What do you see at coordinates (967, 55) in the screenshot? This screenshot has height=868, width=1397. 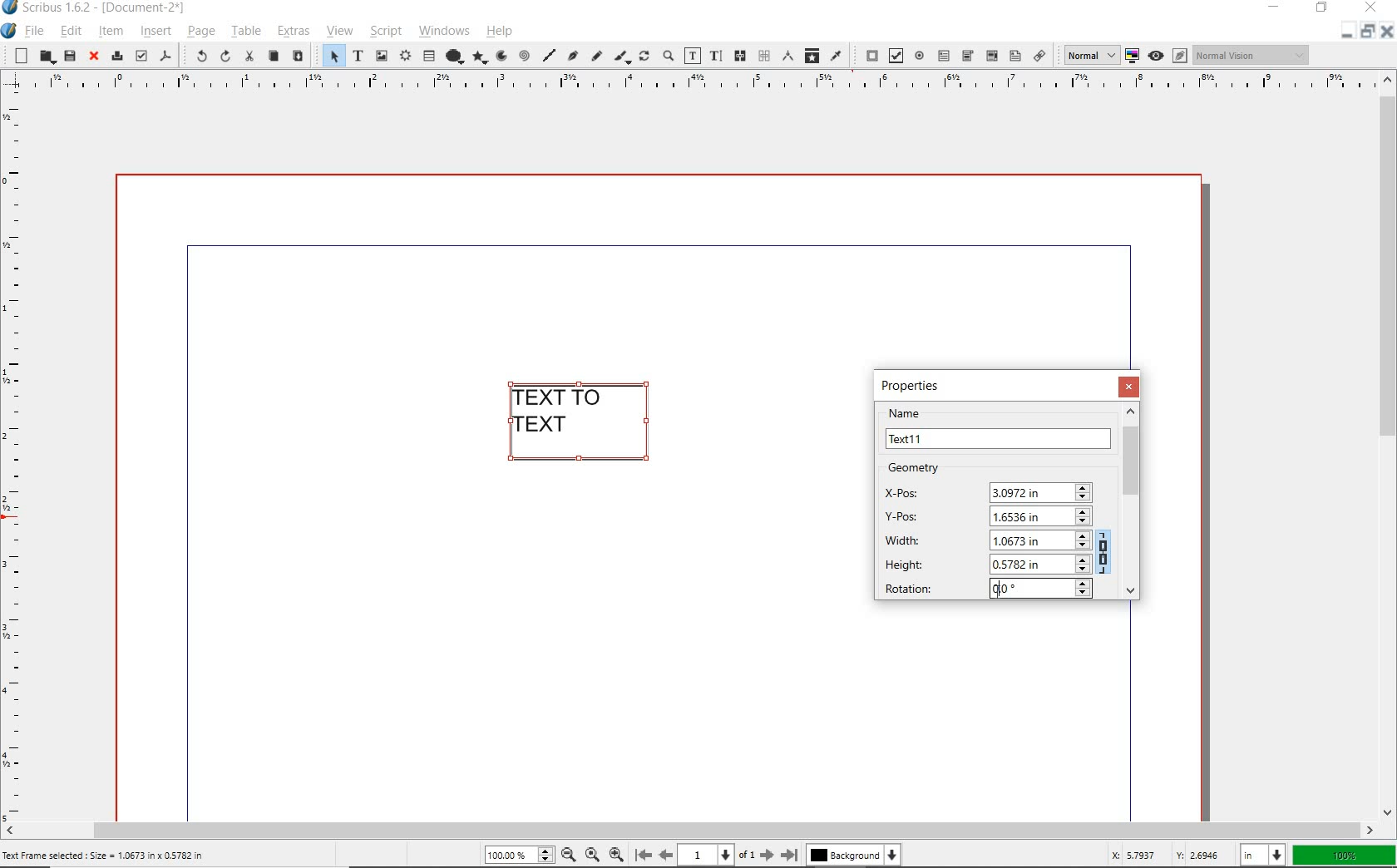 I see `pdf combo box` at bounding box center [967, 55].